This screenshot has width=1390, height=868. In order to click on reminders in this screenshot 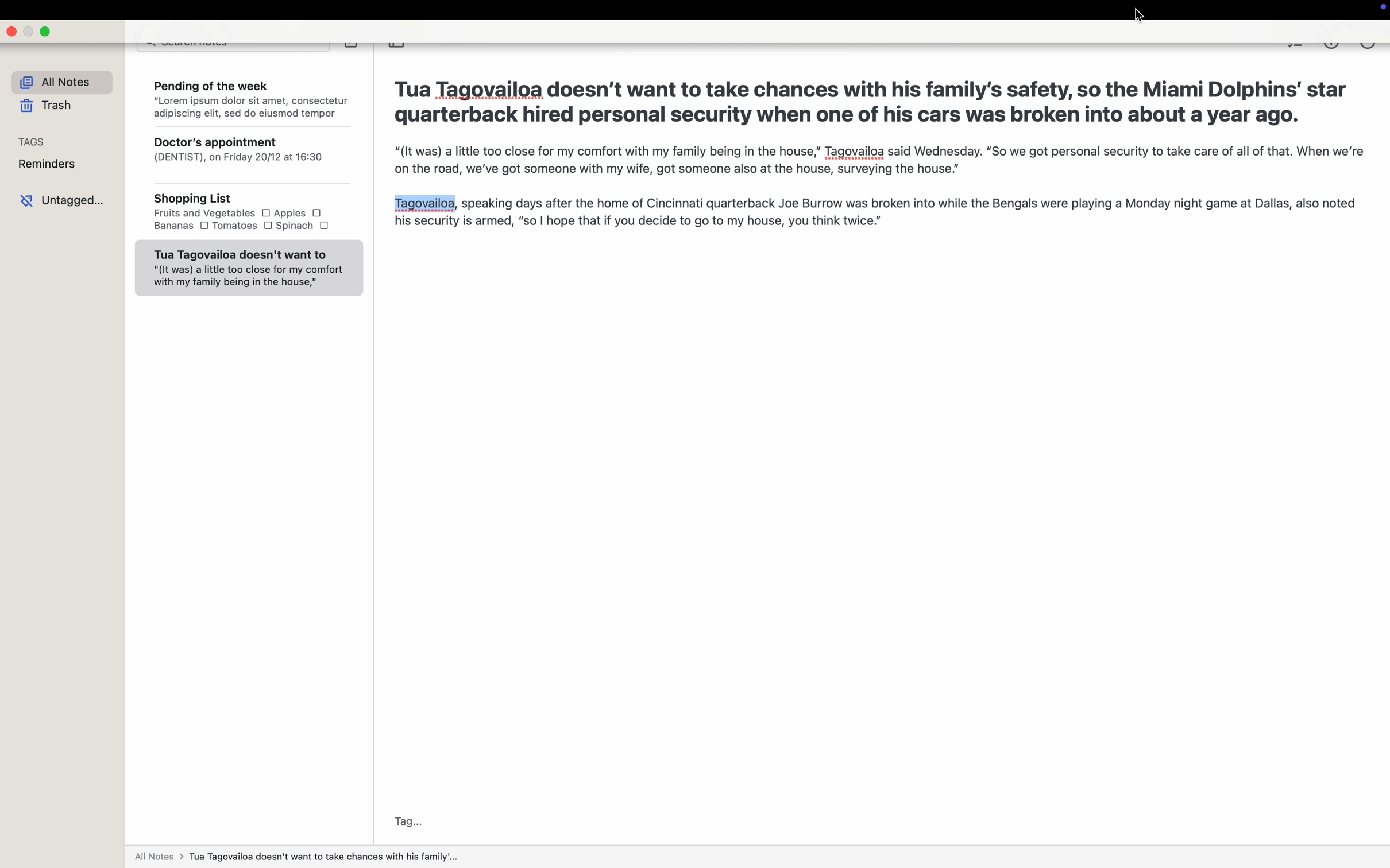, I will do `click(48, 164)`.